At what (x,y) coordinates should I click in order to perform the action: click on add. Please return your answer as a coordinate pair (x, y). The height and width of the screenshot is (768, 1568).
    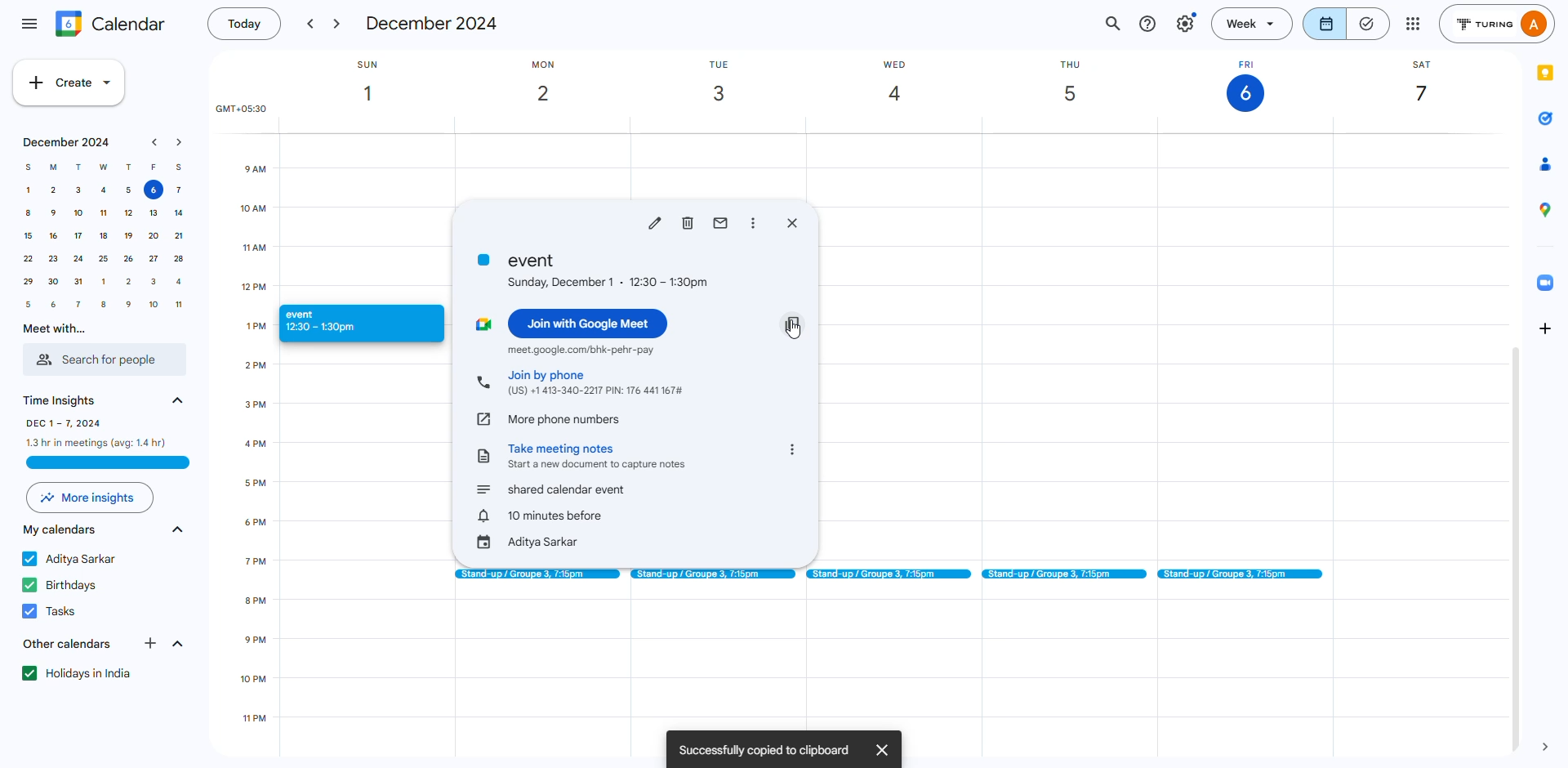
    Looking at the image, I should click on (1547, 328).